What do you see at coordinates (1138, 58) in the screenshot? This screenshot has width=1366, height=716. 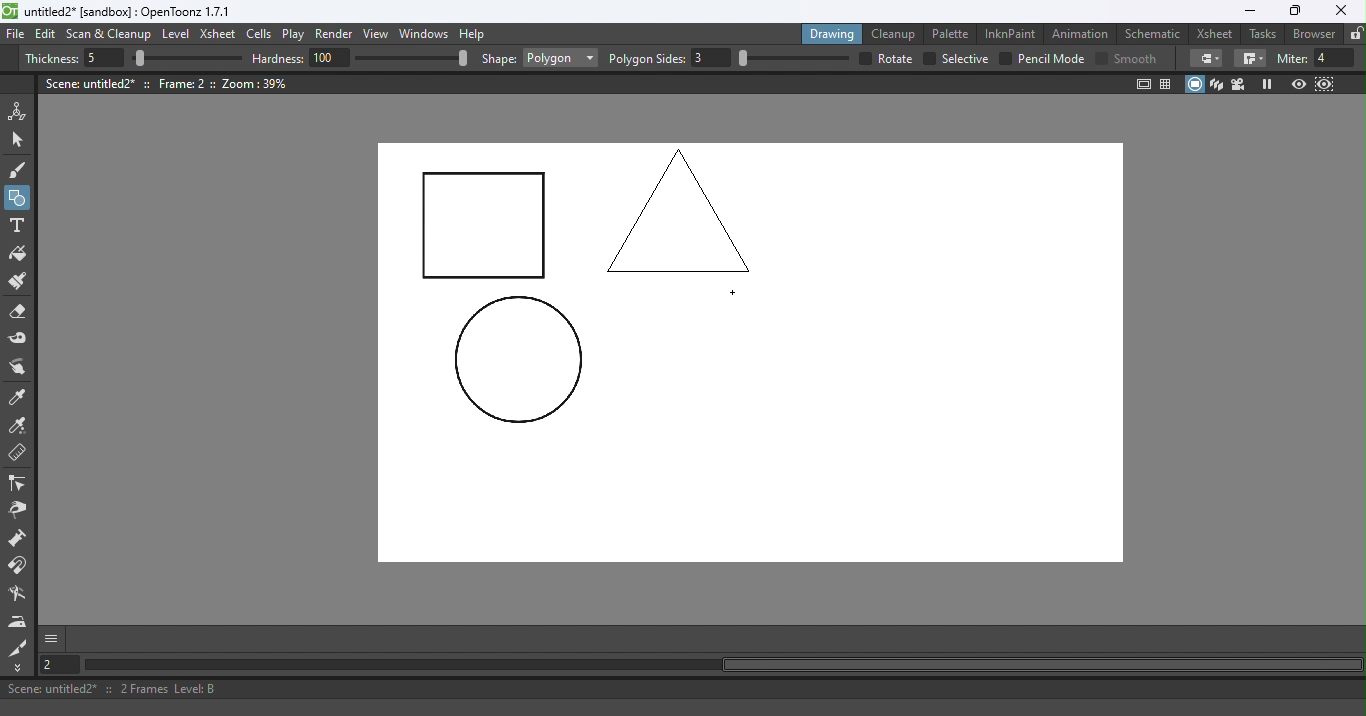 I see `smooth` at bounding box center [1138, 58].